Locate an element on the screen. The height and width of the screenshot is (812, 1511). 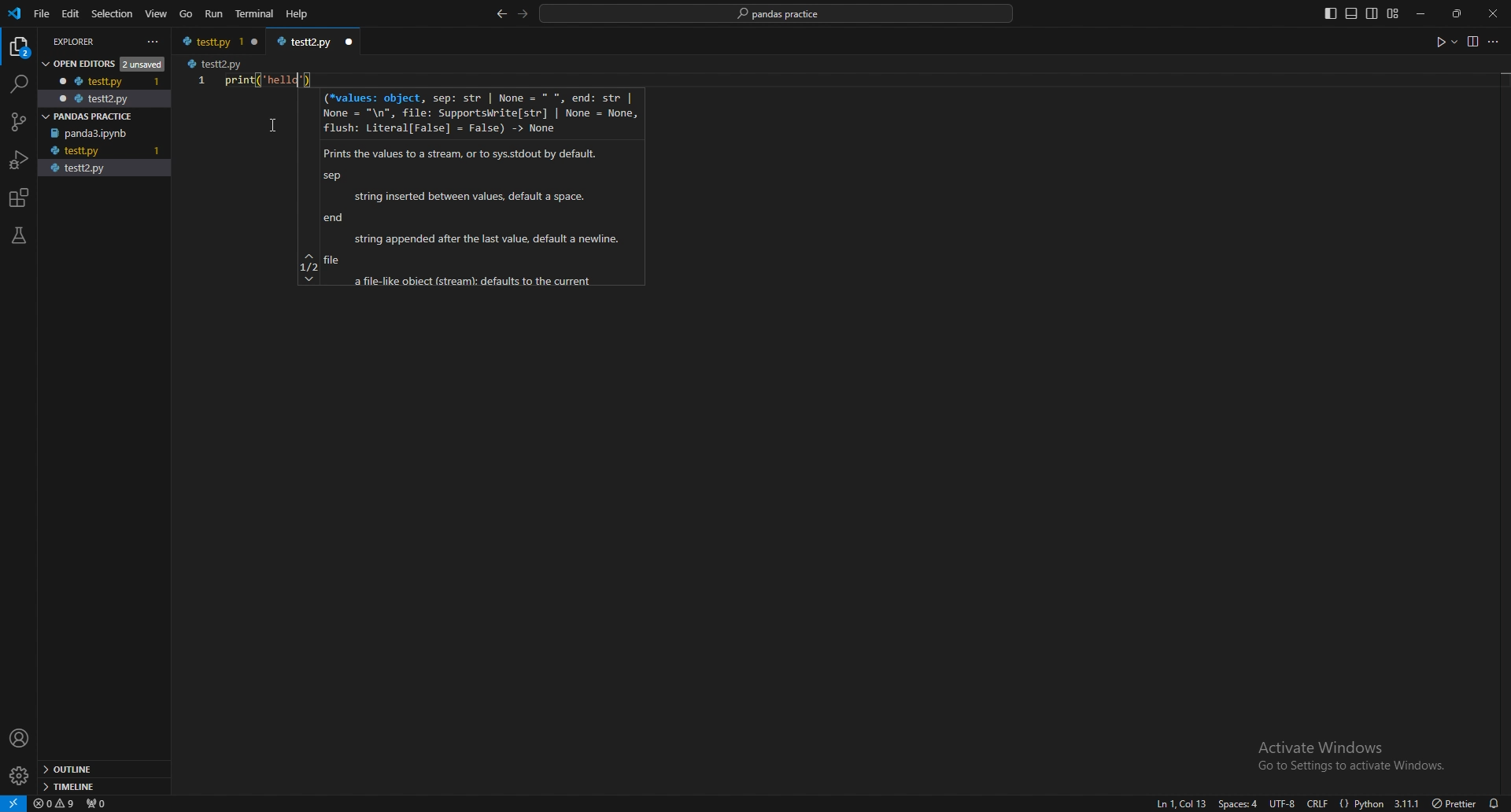
open editors is located at coordinates (99, 62).